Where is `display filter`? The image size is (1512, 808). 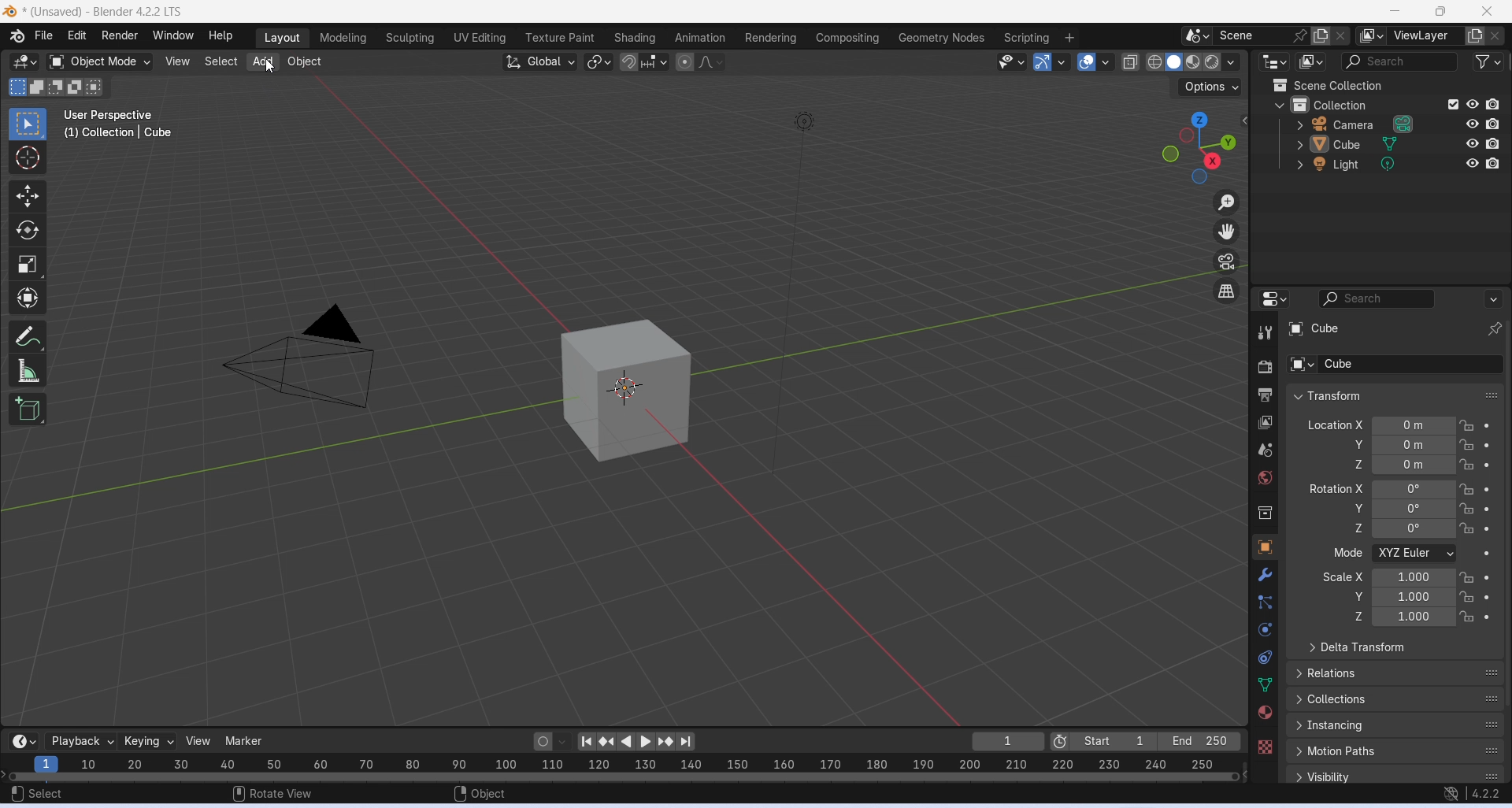 display filter is located at coordinates (1398, 62).